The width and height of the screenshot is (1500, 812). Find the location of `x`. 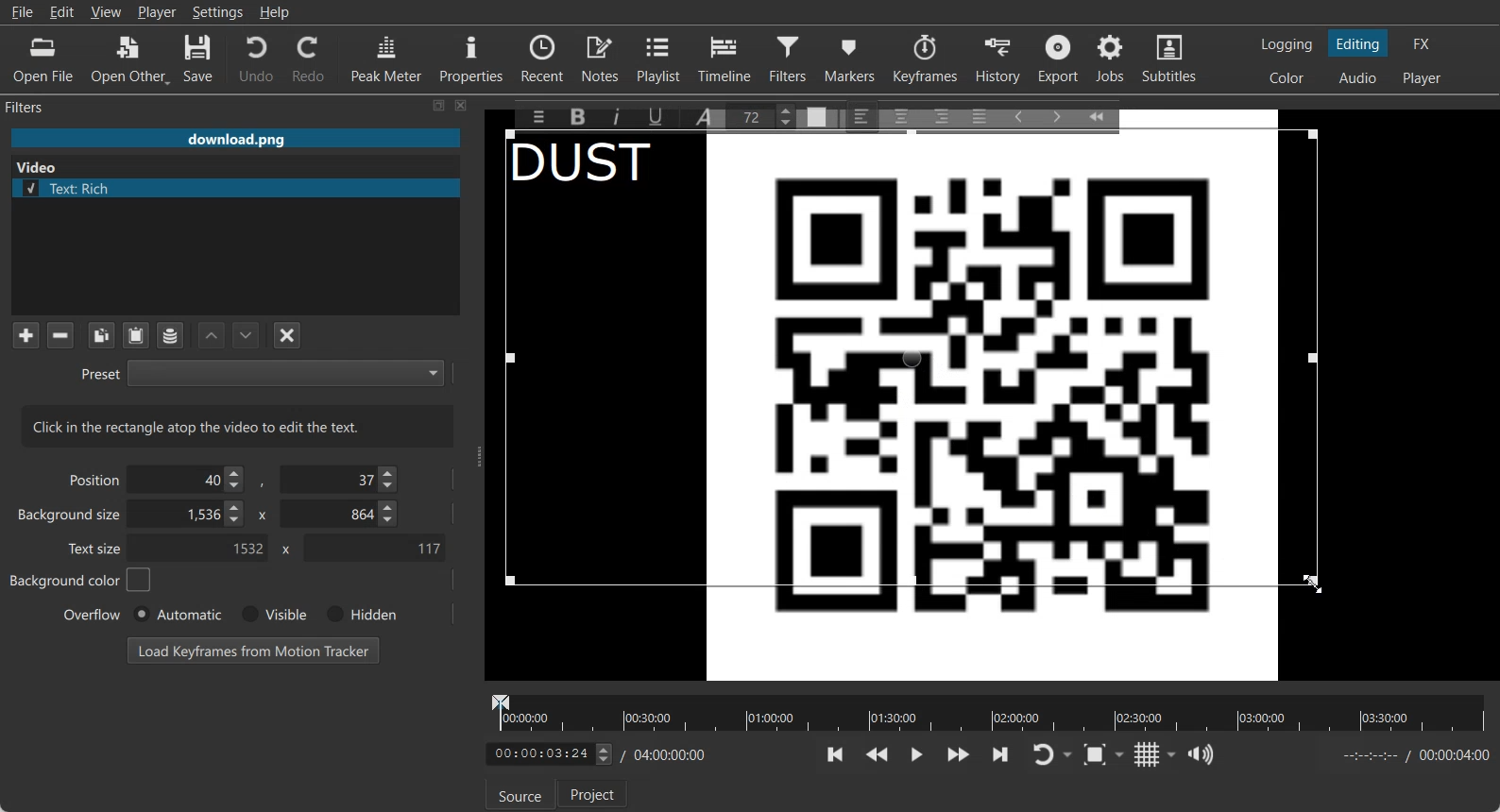

x is located at coordinates (260, 514).